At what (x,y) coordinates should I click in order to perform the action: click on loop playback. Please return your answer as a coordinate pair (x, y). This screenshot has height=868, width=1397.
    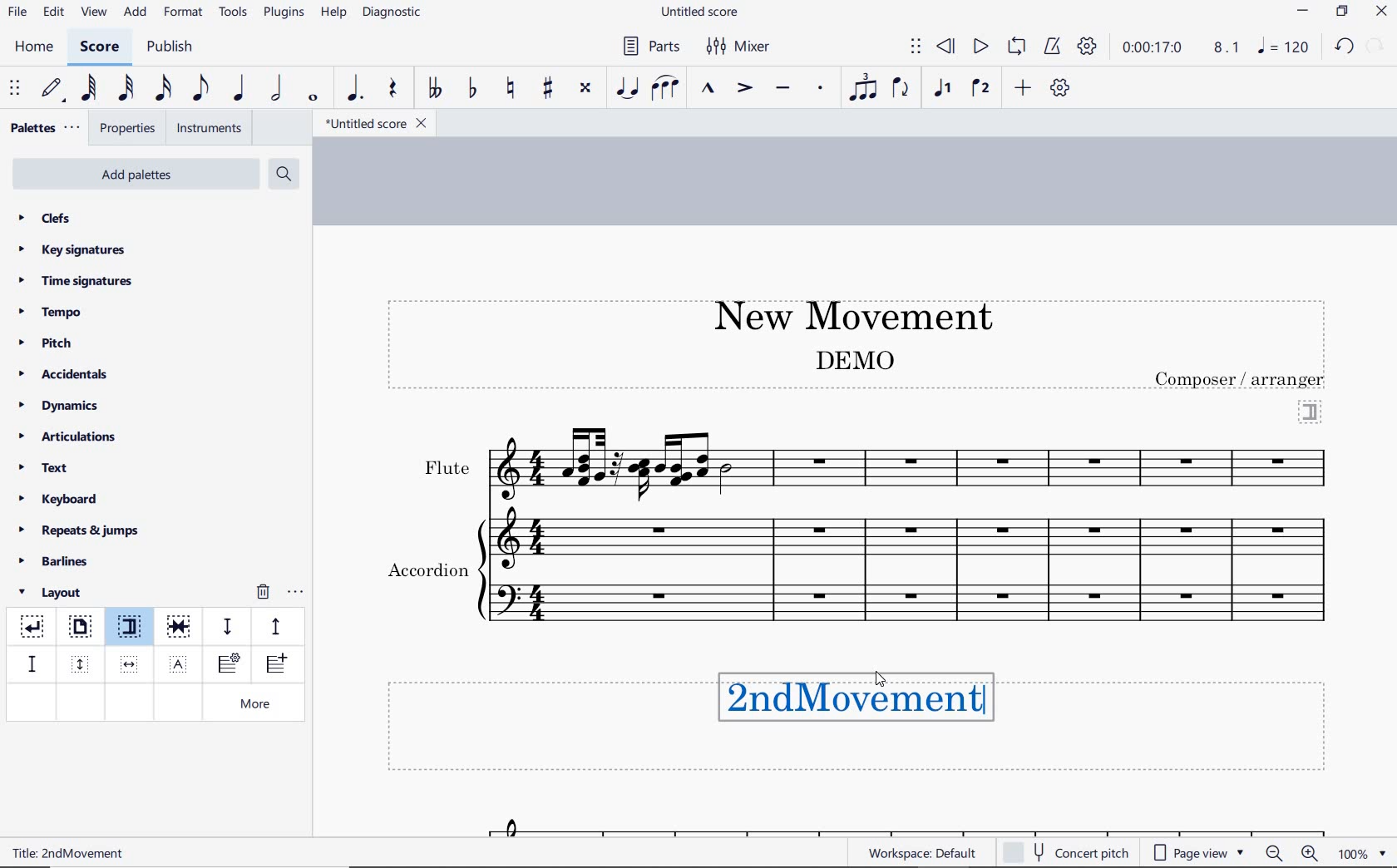
    Looking at the image, I should click on (1019, 47).